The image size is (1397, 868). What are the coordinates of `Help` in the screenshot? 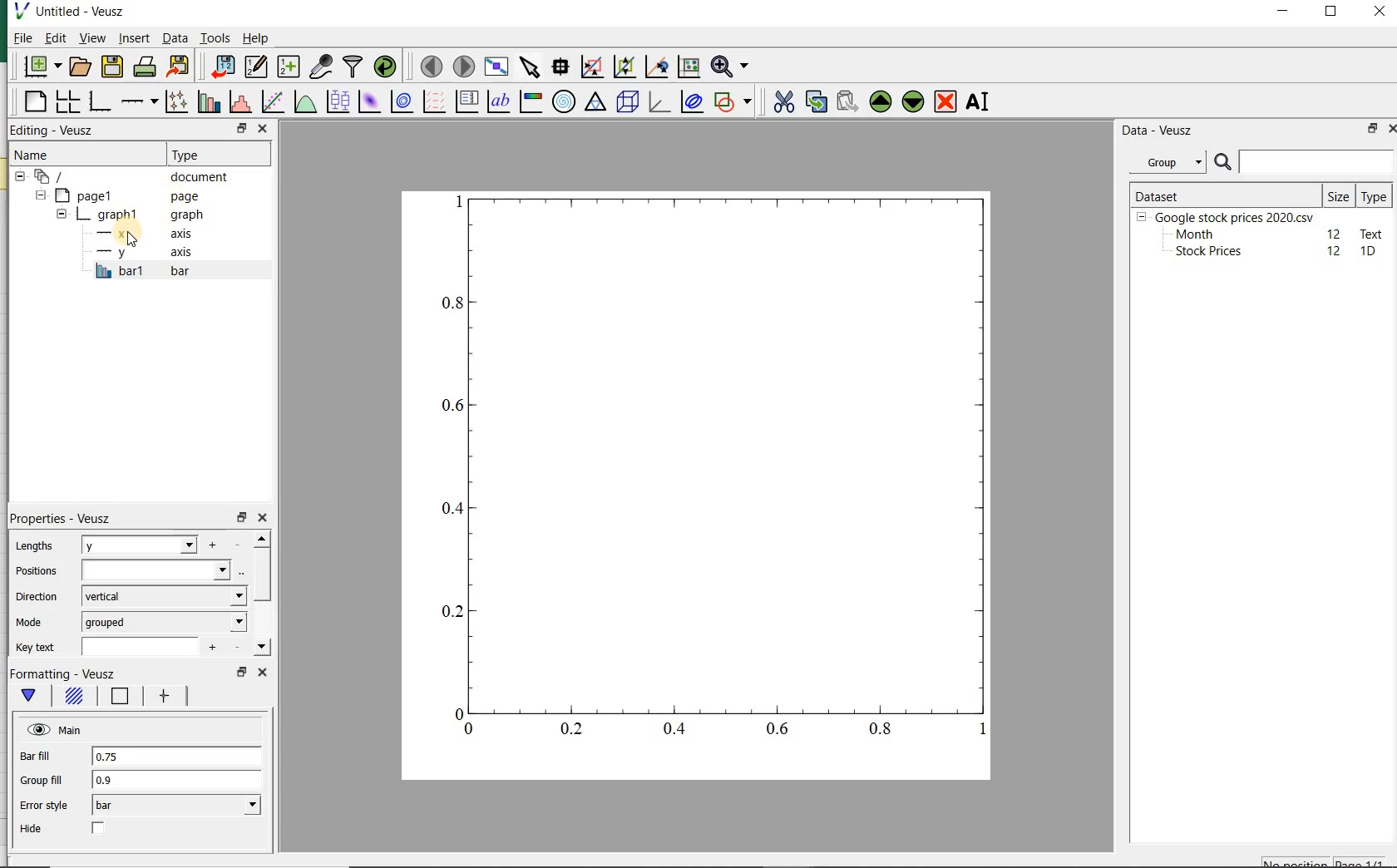 It's located at (258, 40).